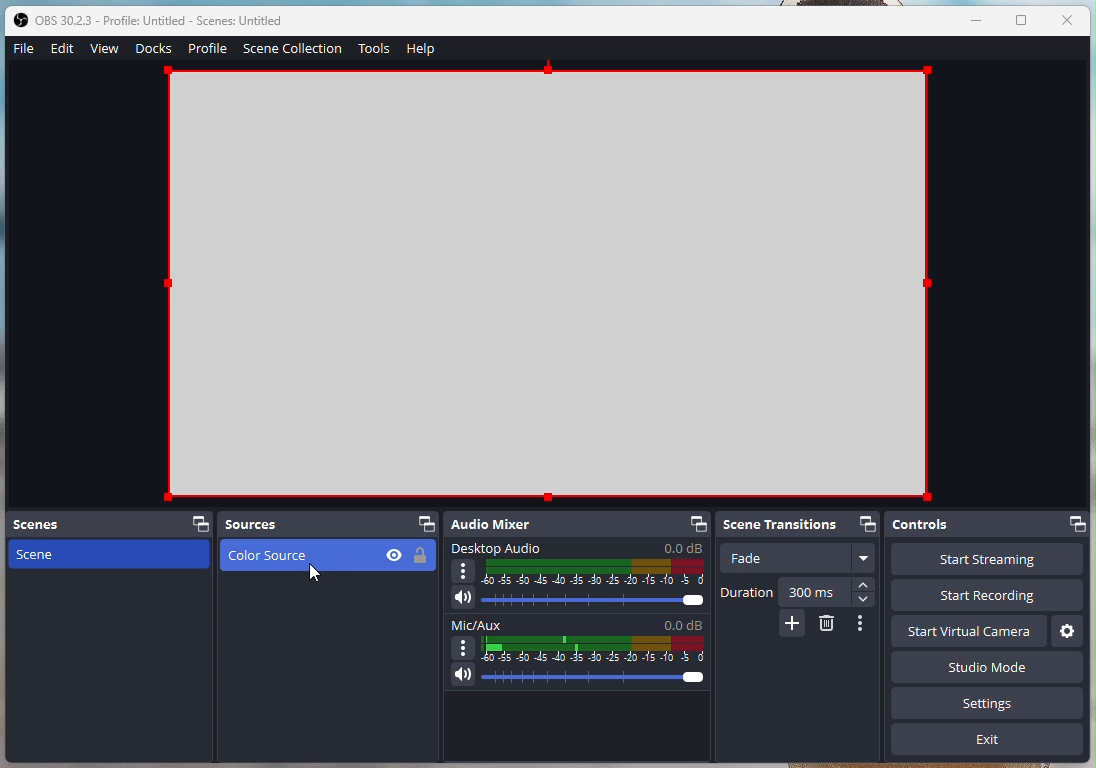 The height and width of the screenshot is (768, 1096). What do you see at coordinates (420, 50) in the screenshot?
I see `Help` at bounding box center [420, 50].